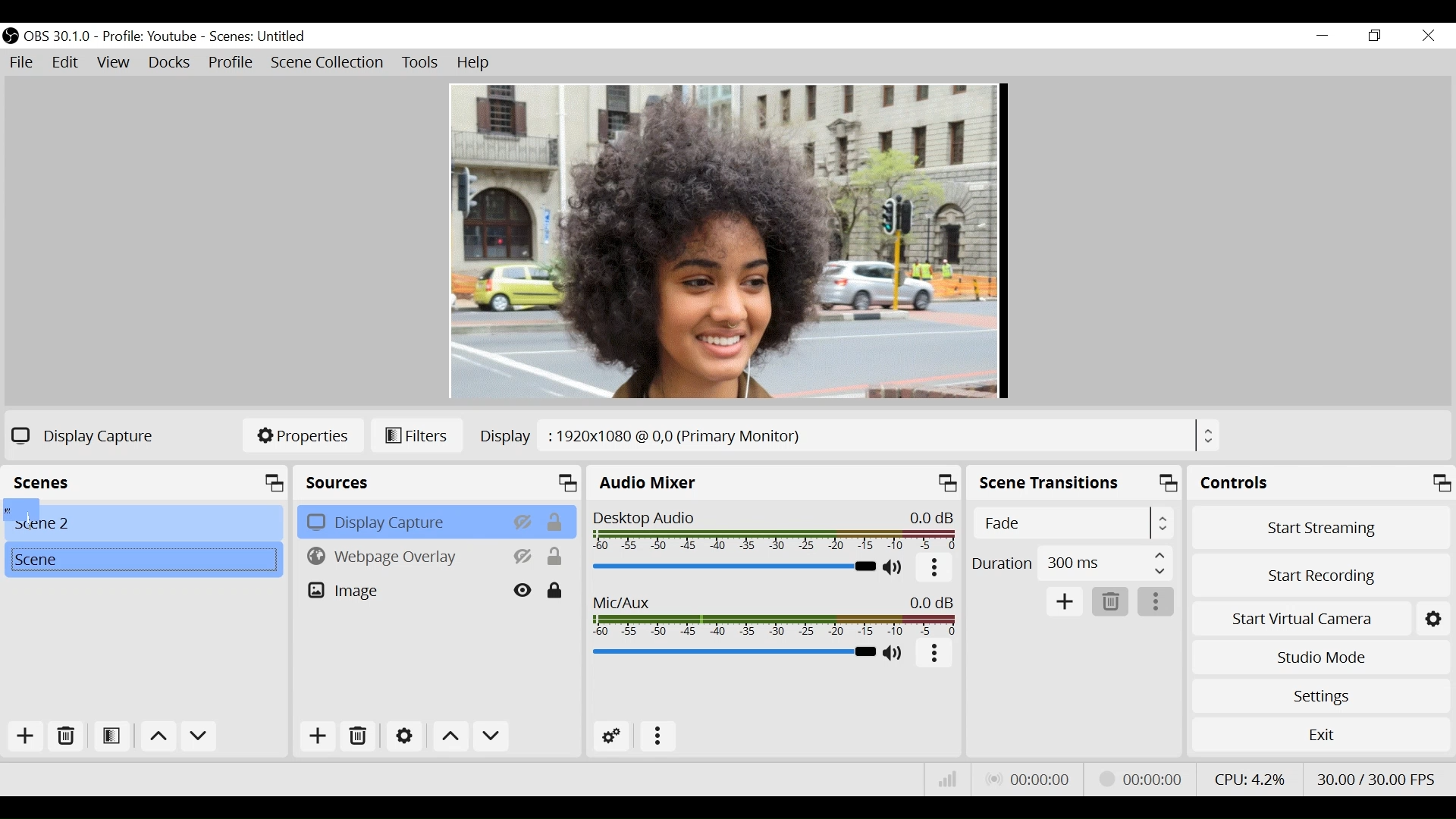 The width and height of the screenshot is (1456, 819). What do you see at coordinates (775, 482) in the screenshot?
I see `Audio Mixer` at bounding box center [775, 482].